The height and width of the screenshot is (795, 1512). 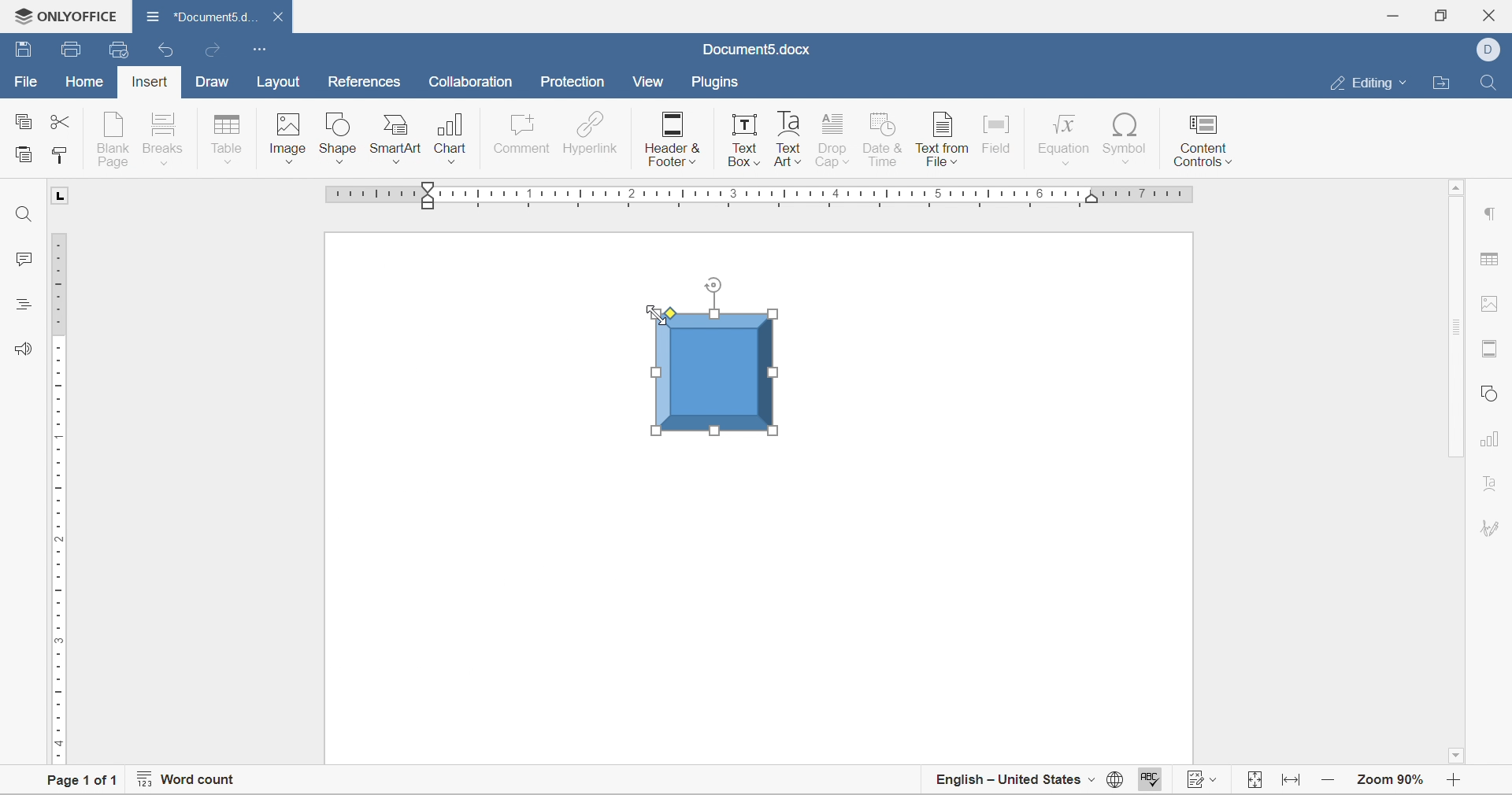 I want to click on image, so click(x=287, y=137).